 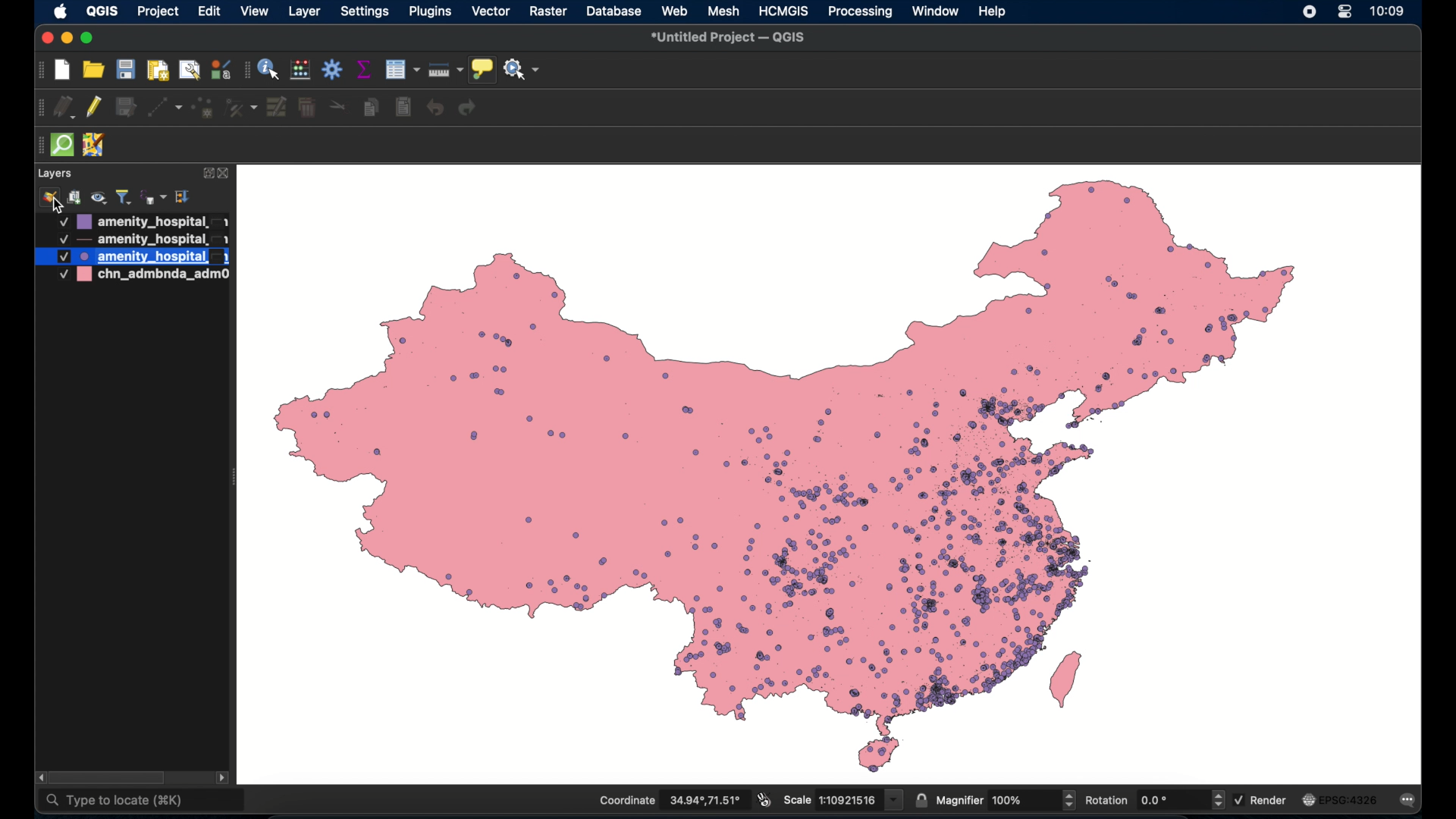 What do you see at coordinates (157, 13) in the screenshot?
I see `project` at bounding box center [157, 13].